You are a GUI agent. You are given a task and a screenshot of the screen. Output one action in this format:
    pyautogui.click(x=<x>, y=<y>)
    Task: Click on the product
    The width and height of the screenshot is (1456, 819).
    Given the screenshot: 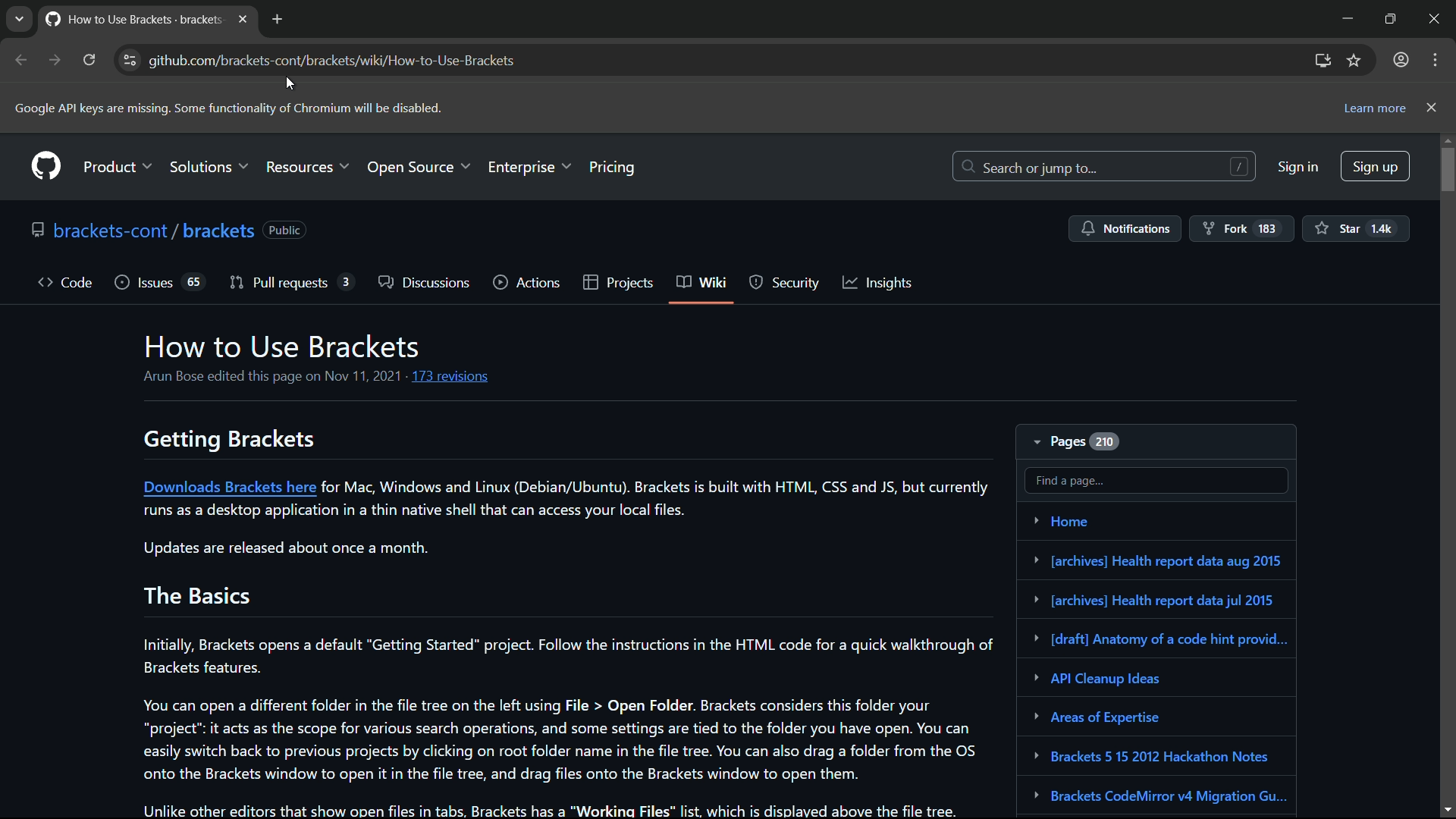 What is the action you would take?
    pyautogui.click(x=117, y=165)
    